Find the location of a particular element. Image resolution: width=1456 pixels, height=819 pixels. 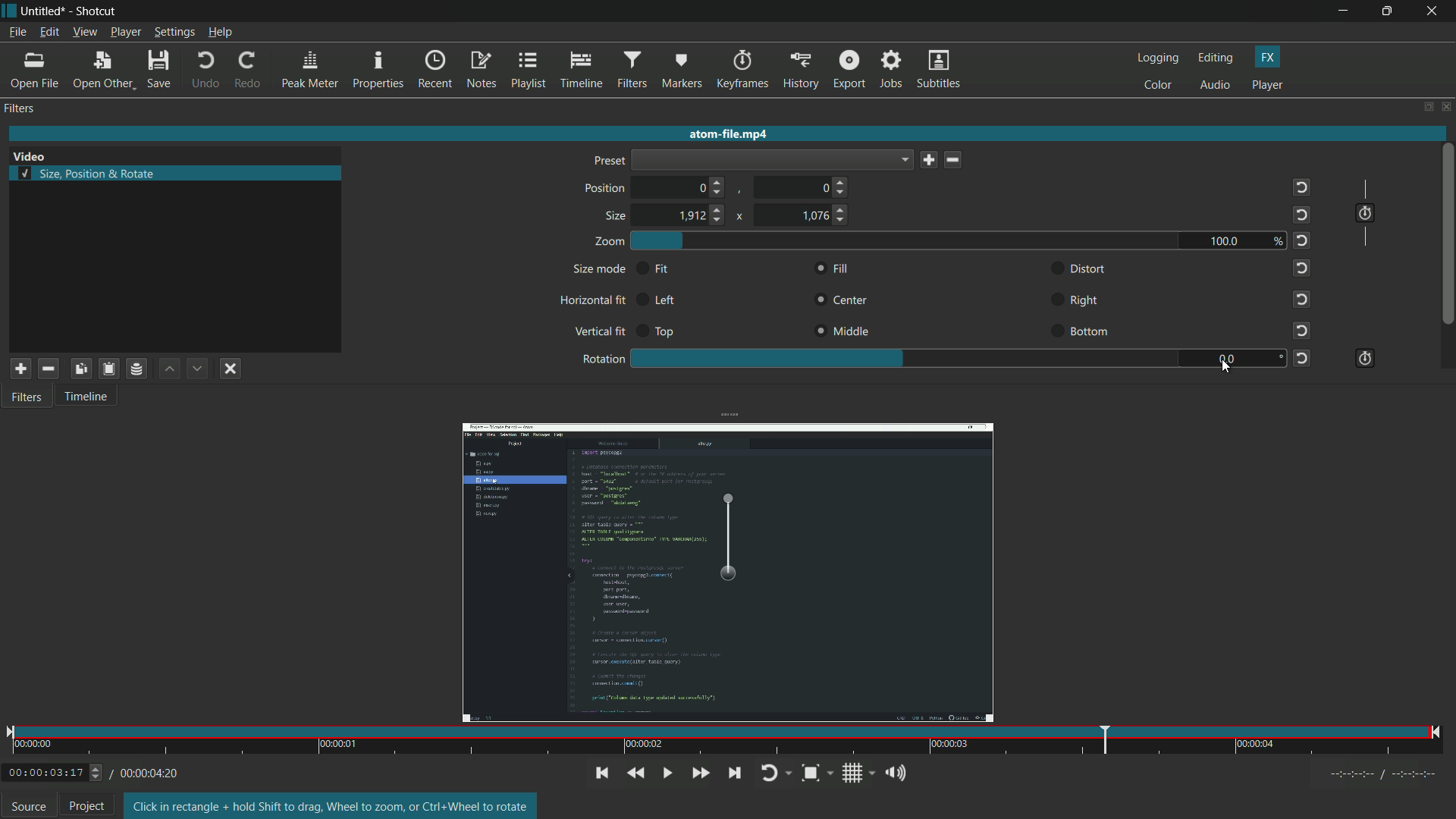

timecodes is located at coordinates (1385, 776).